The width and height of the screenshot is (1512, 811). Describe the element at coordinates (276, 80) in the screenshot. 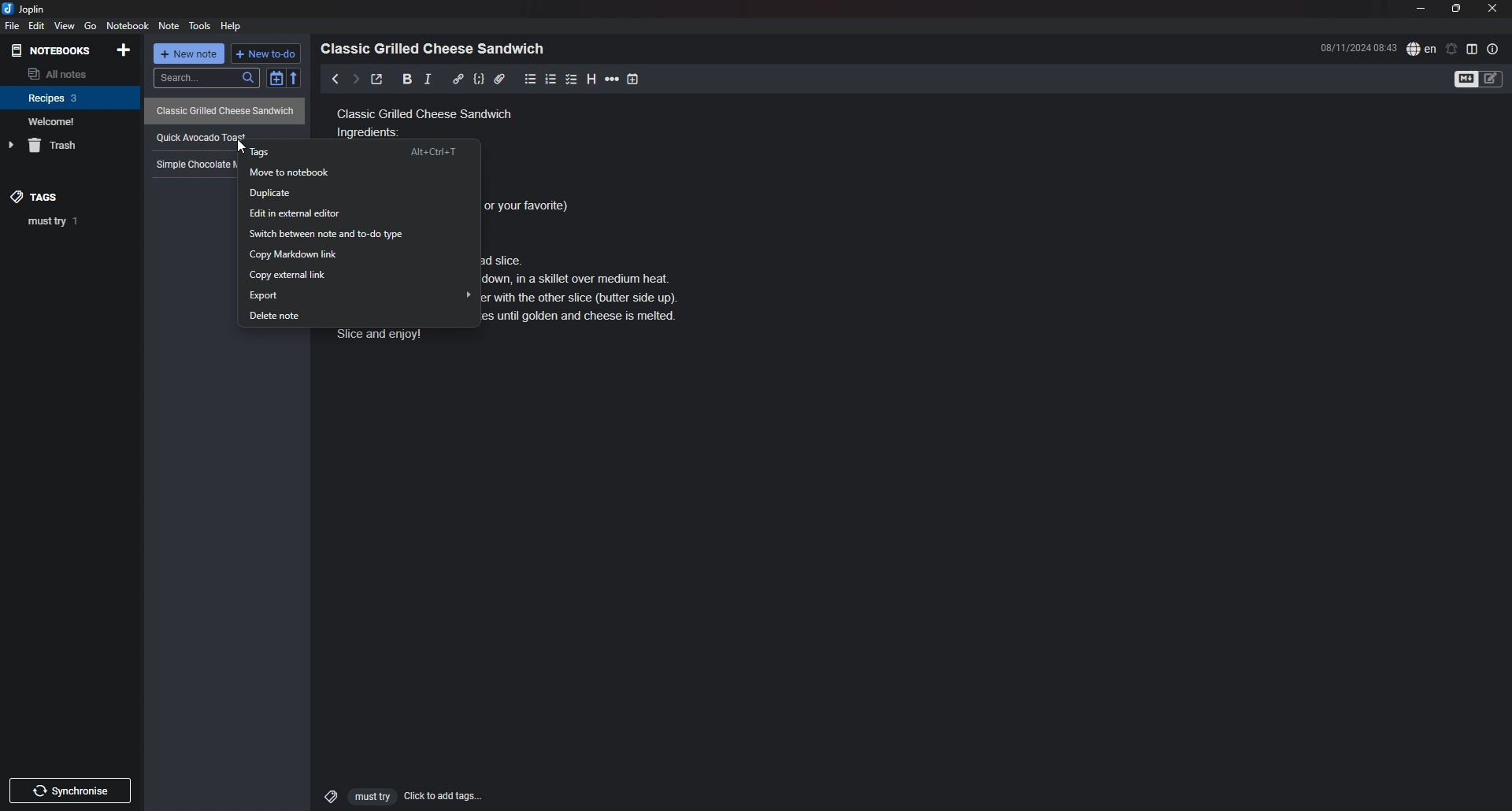

I see `toggle sort order` at that location.